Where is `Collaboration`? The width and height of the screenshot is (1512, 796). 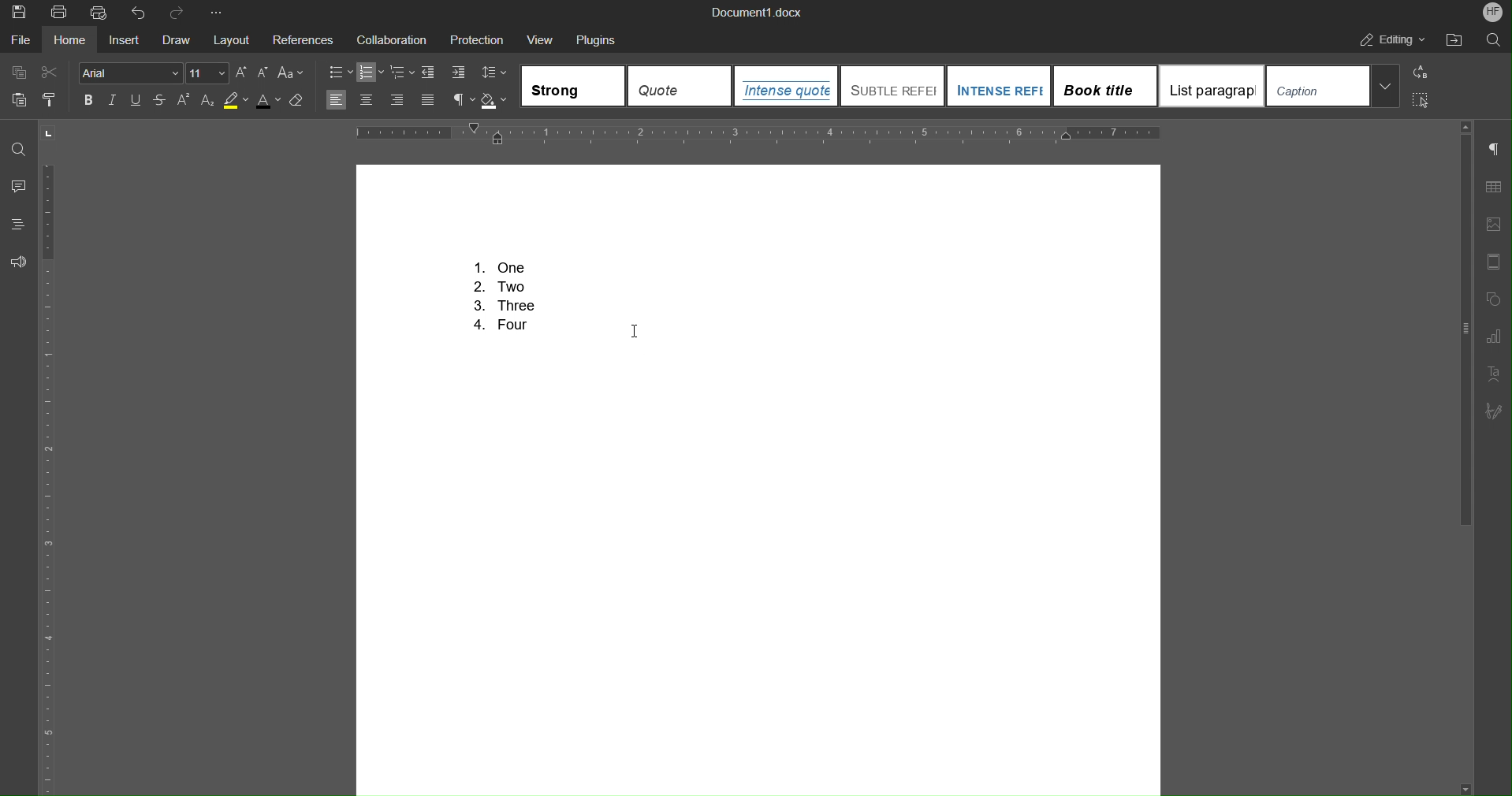 Collaboration is located at coordinates (389, 38).